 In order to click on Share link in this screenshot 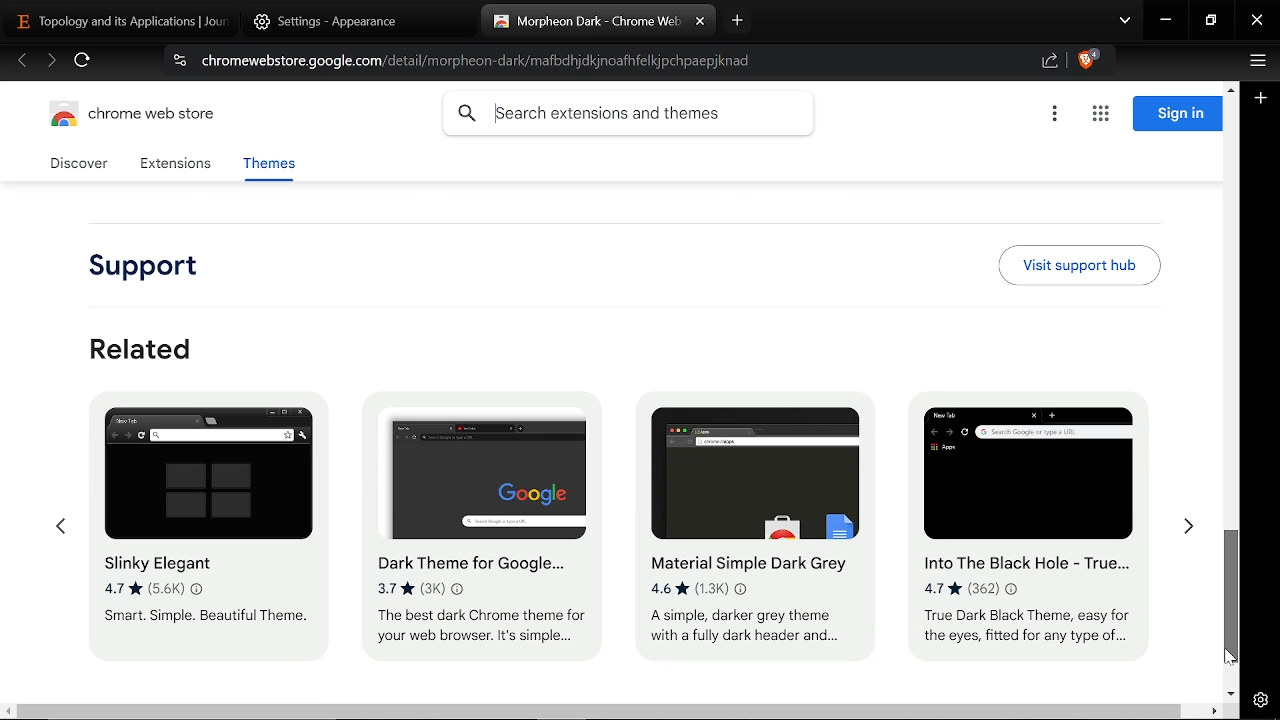, I will do `click(1050, 62)`.